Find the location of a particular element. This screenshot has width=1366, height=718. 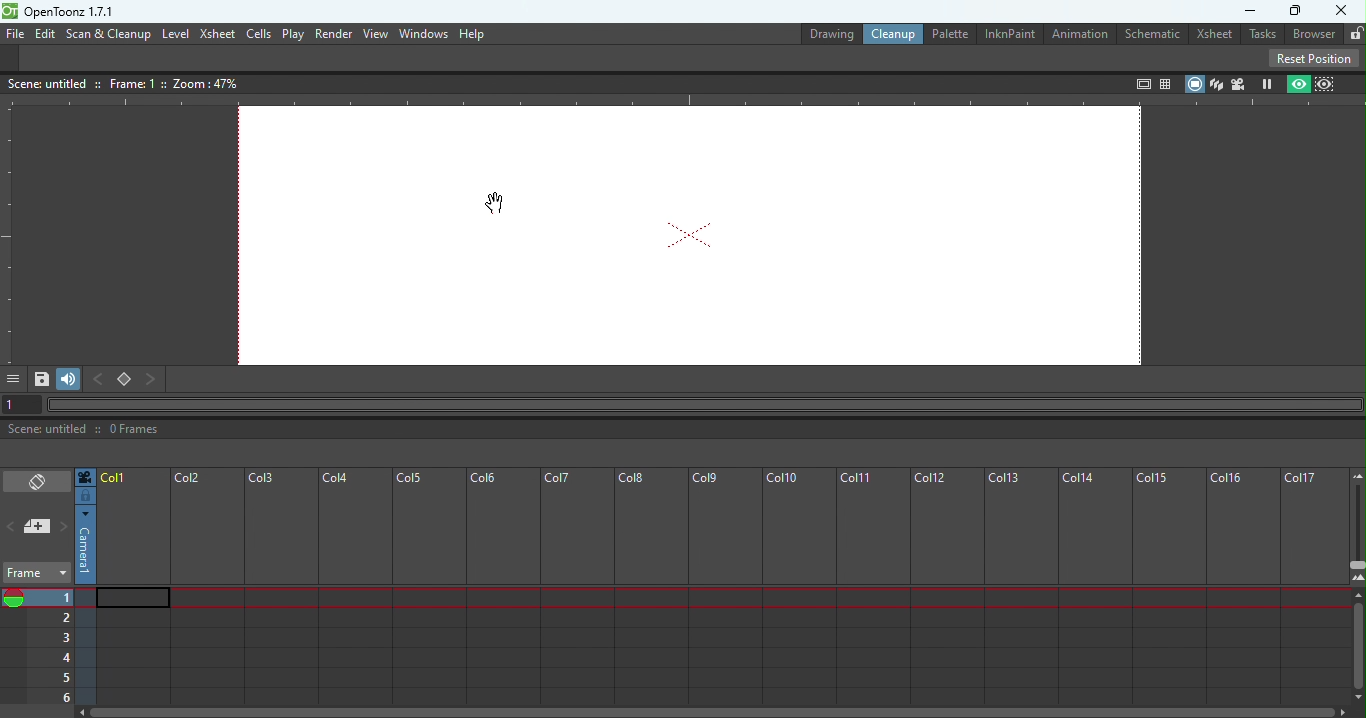

View is located at coordinates (375, 34).